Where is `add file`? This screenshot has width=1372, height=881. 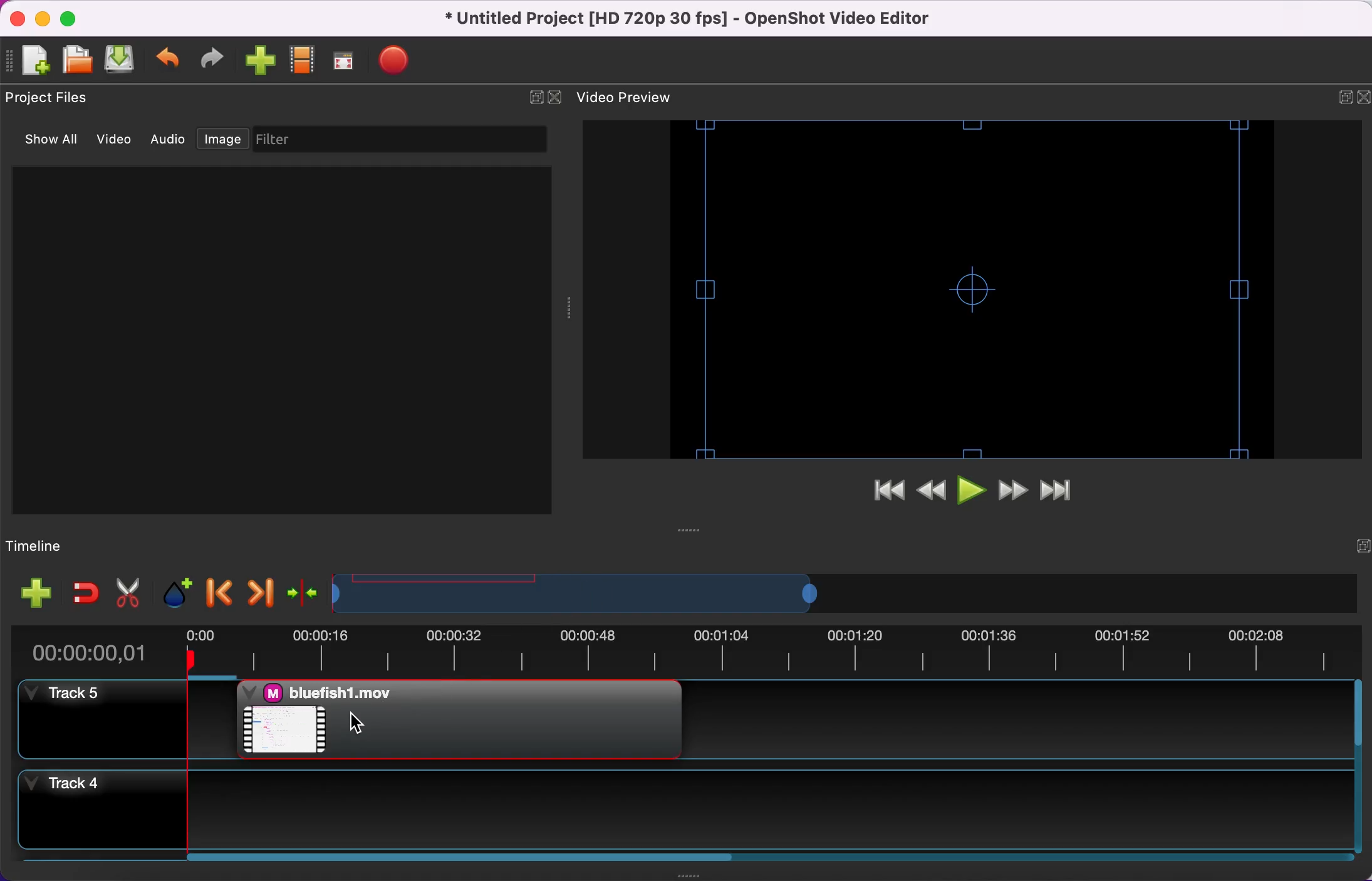
add file is located at coordinates (33, 61).